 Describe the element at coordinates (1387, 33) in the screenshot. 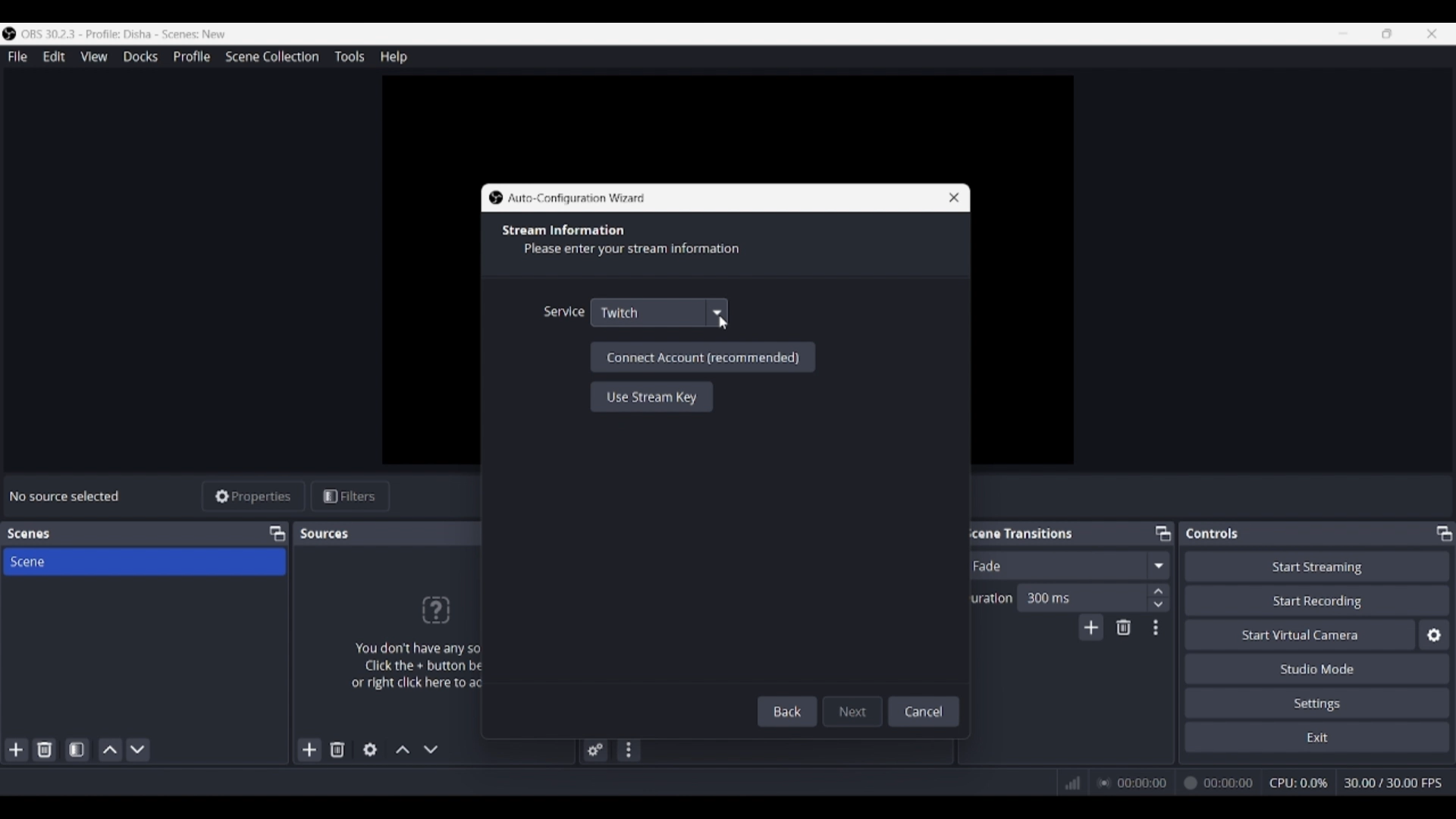

I see `Show interface in a smaller tab` at that location.